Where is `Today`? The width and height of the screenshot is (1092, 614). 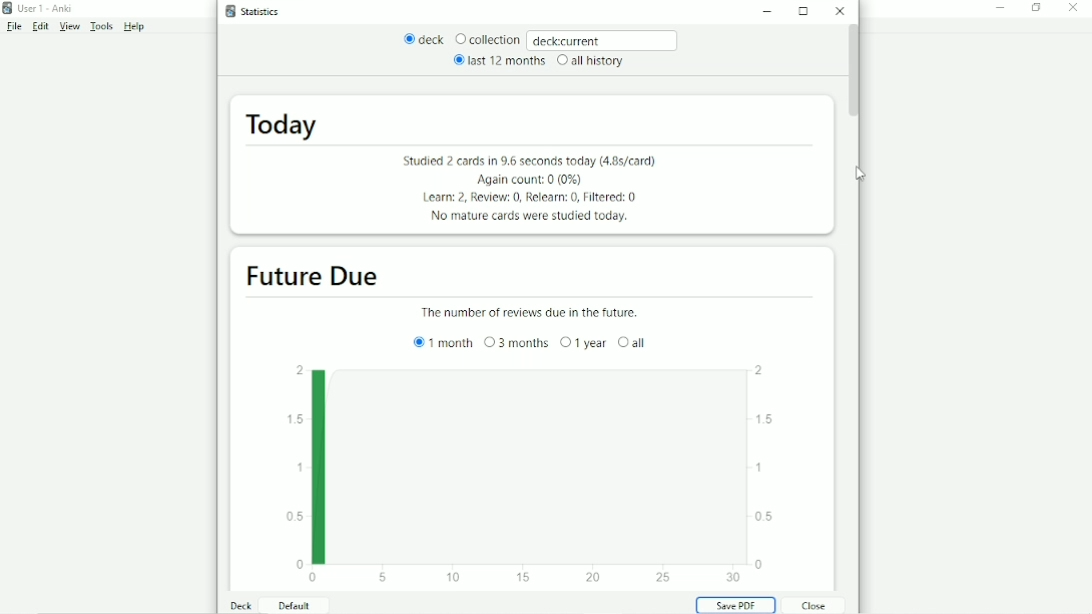 Today is located at coordinates (281, 124).